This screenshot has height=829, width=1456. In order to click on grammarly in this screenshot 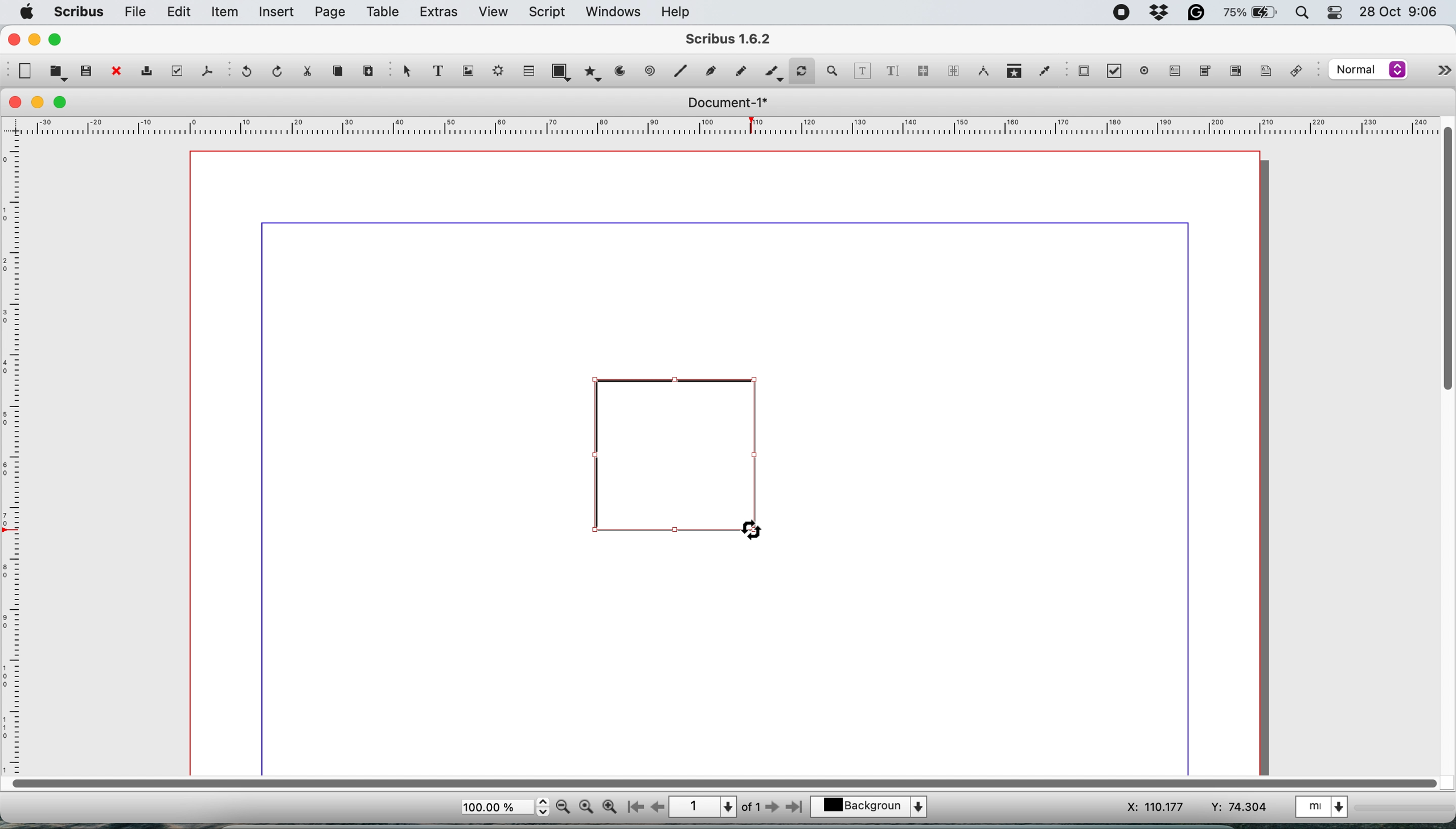, I will do `click(1197, 13)`.